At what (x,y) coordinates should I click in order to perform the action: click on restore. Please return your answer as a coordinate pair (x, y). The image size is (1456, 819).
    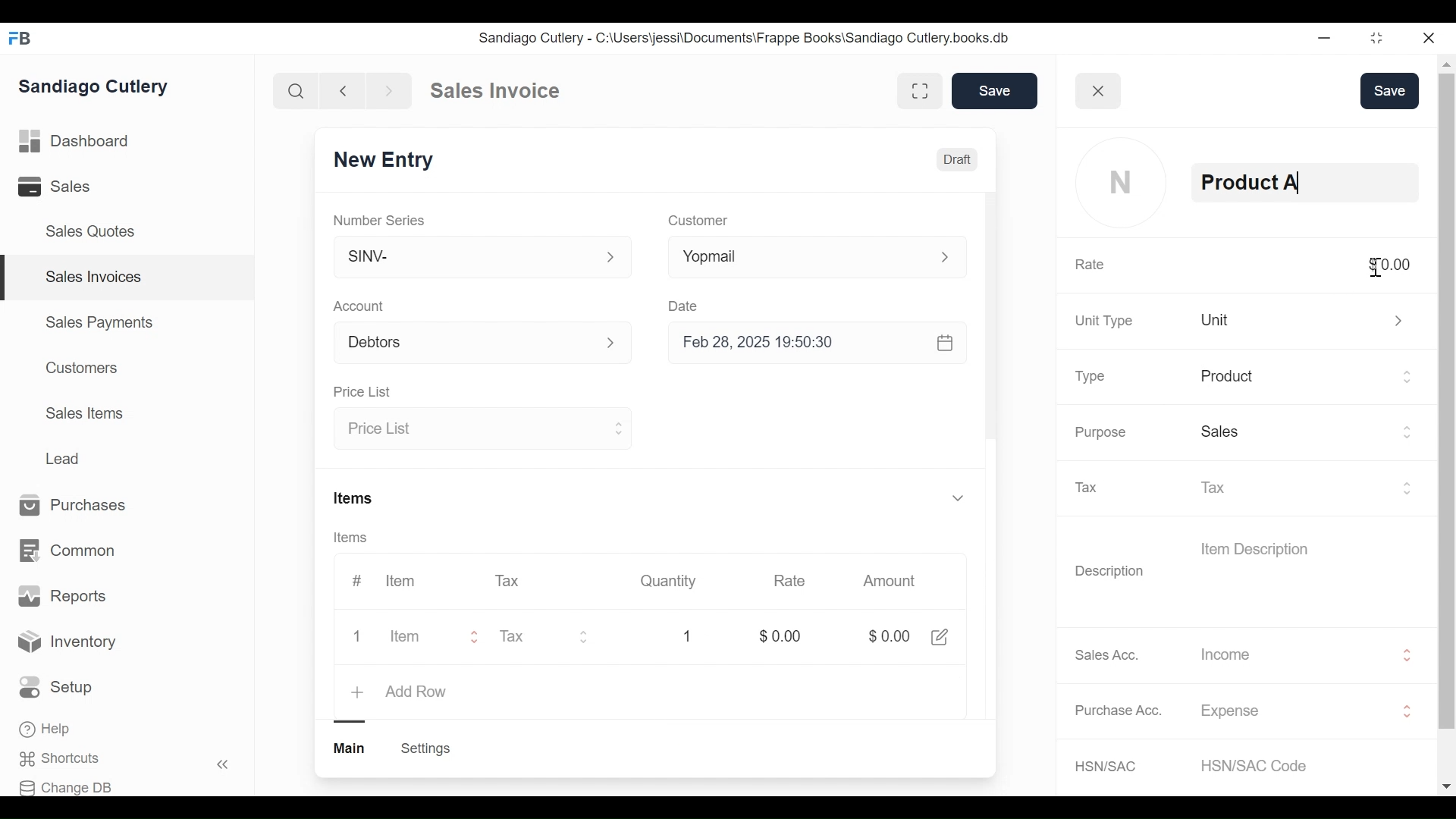
    Looking at the image, I should click on (1376, 37).